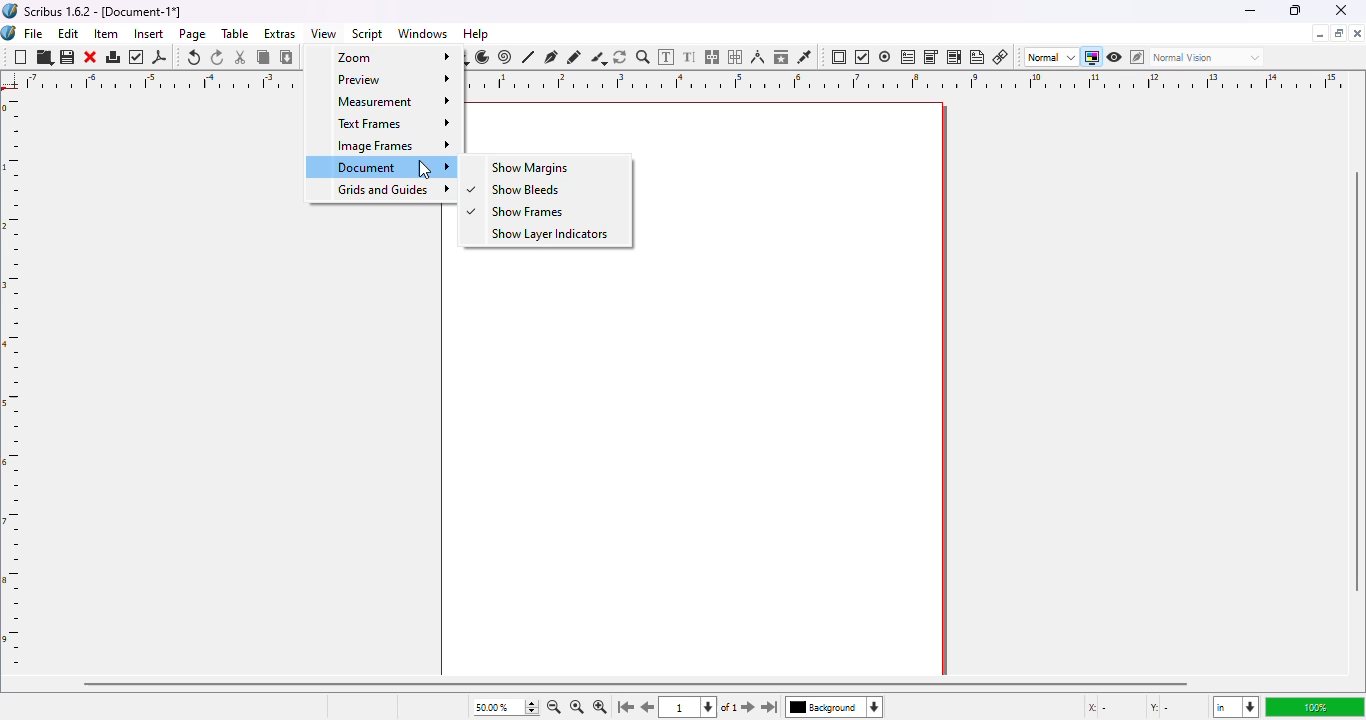  I want to click on table, so click(236, 34).